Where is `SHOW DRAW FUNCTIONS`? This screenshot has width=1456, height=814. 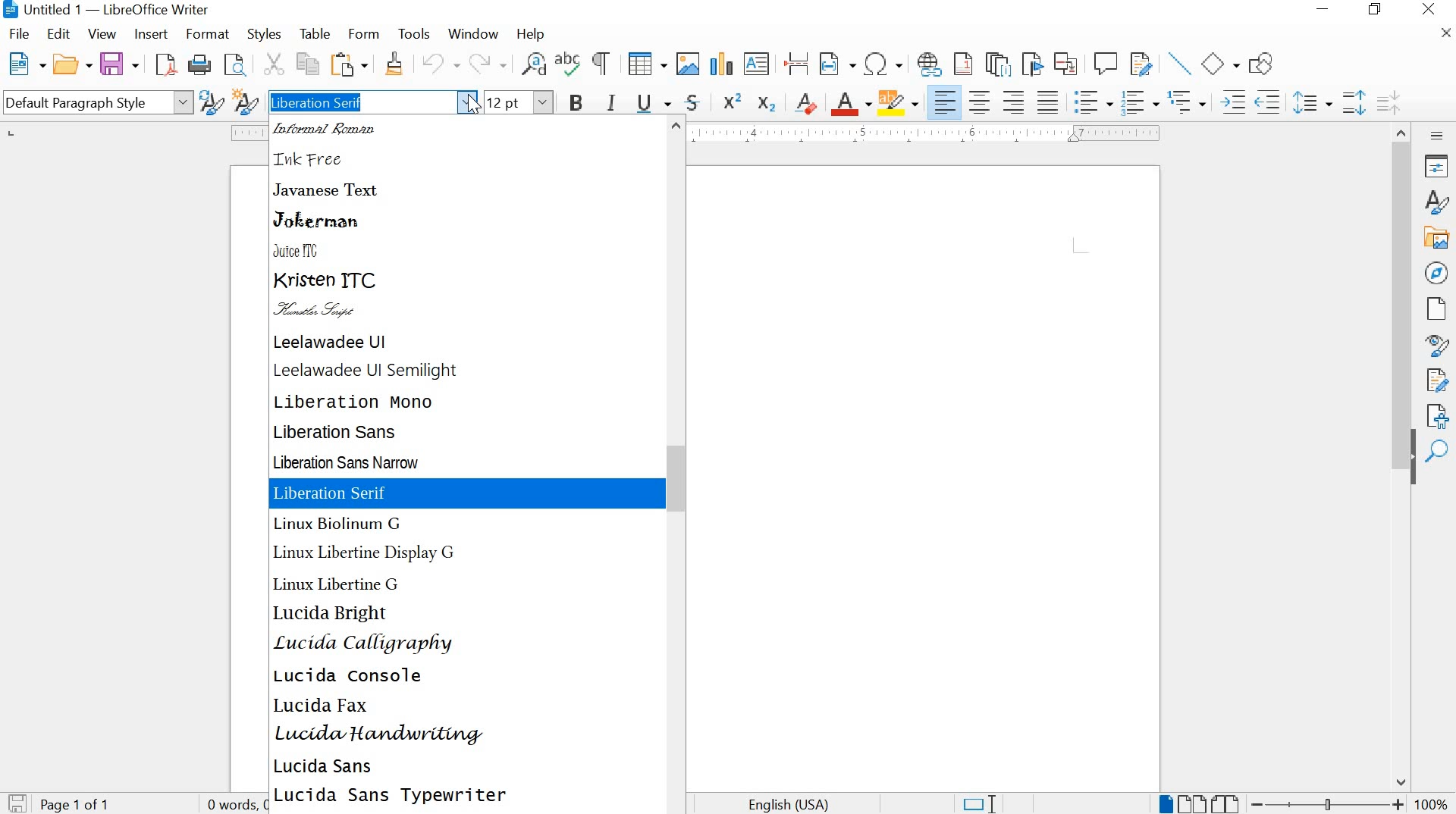
SHOW DRAW FUNCTIONS is located at coordinates (1264, 61).